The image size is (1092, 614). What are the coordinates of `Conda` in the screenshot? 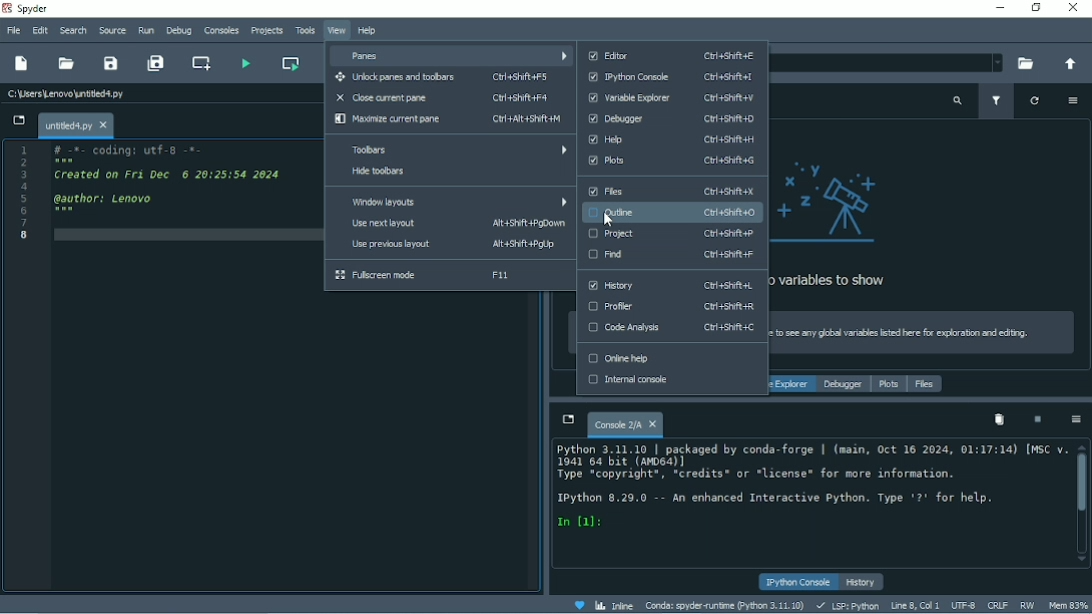 It's located at (724, 605).